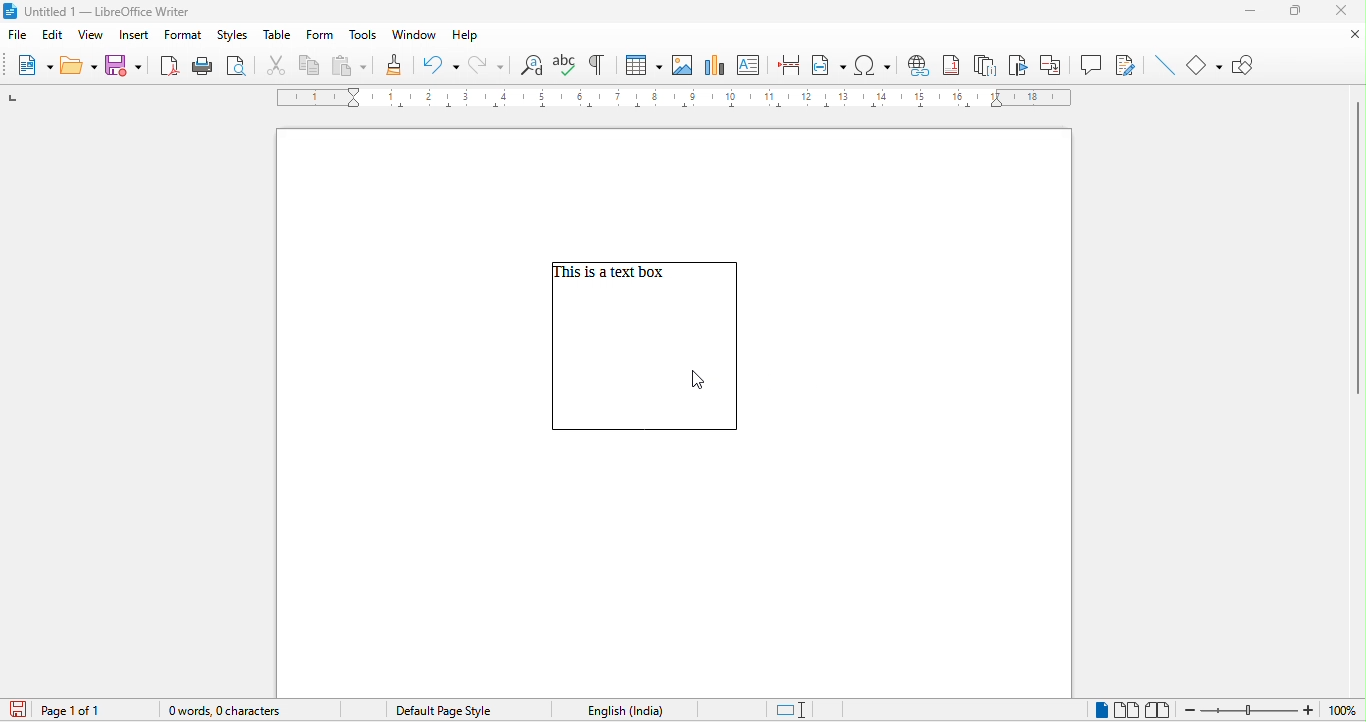 This screenshot has height=722, width=1366. What do you see at coordinates (600, 63) in the screenshot?
I see `toggle formatting marks` at bounding box center [600, 63].